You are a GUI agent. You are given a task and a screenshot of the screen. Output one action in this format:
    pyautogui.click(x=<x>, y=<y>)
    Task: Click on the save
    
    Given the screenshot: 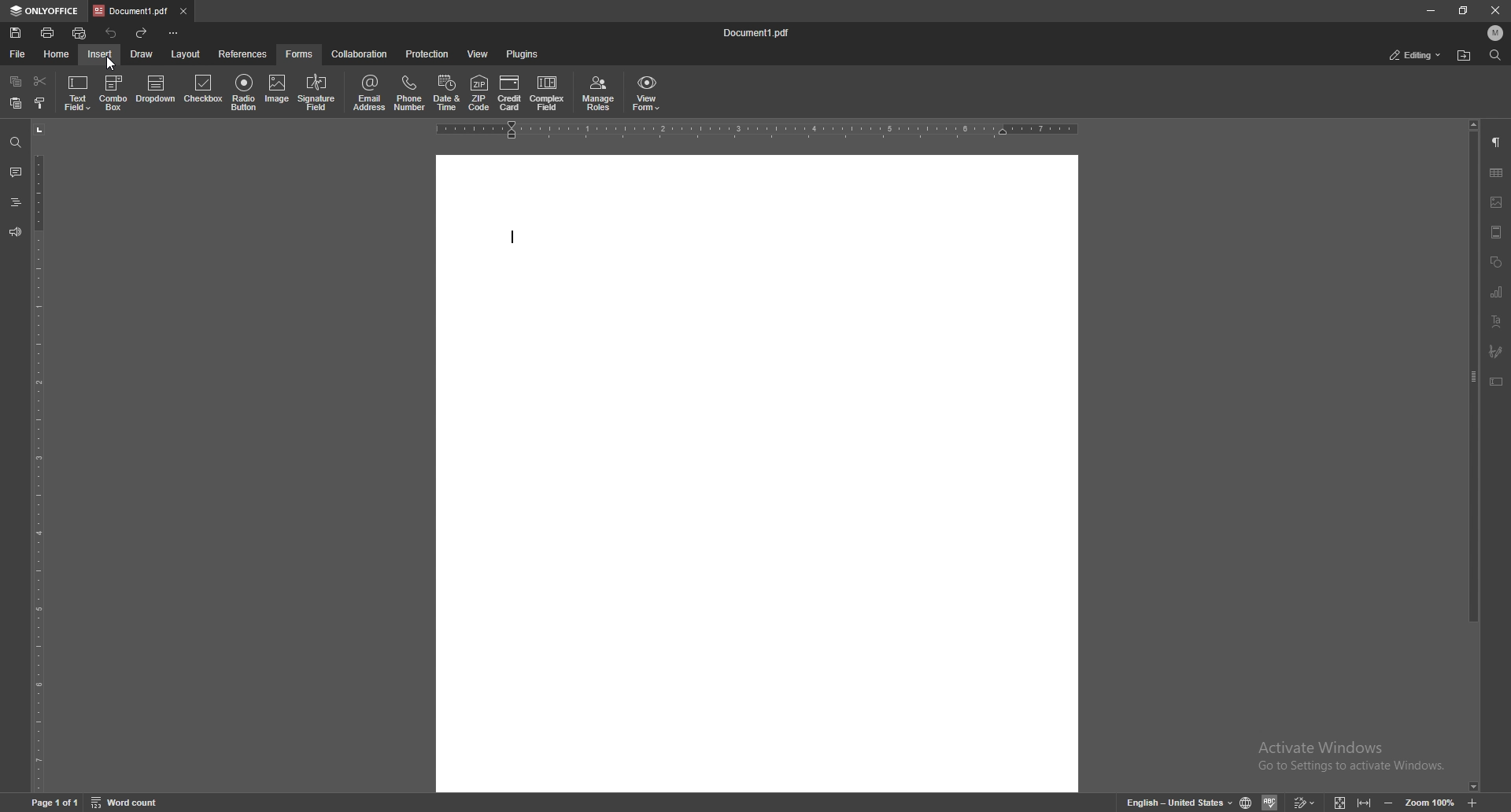 What is the action you would take?
    pyautogui.click(x=17, y=32)
    